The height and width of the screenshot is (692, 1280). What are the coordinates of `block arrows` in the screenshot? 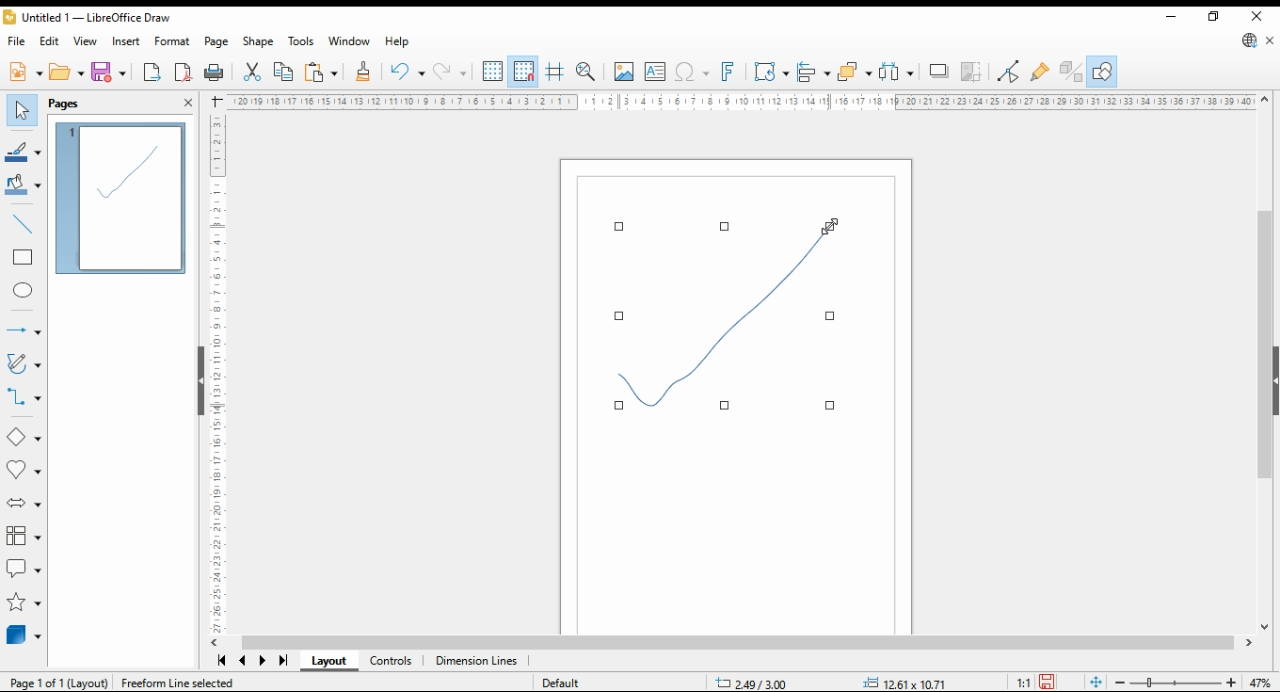 It's located at (23, 503).